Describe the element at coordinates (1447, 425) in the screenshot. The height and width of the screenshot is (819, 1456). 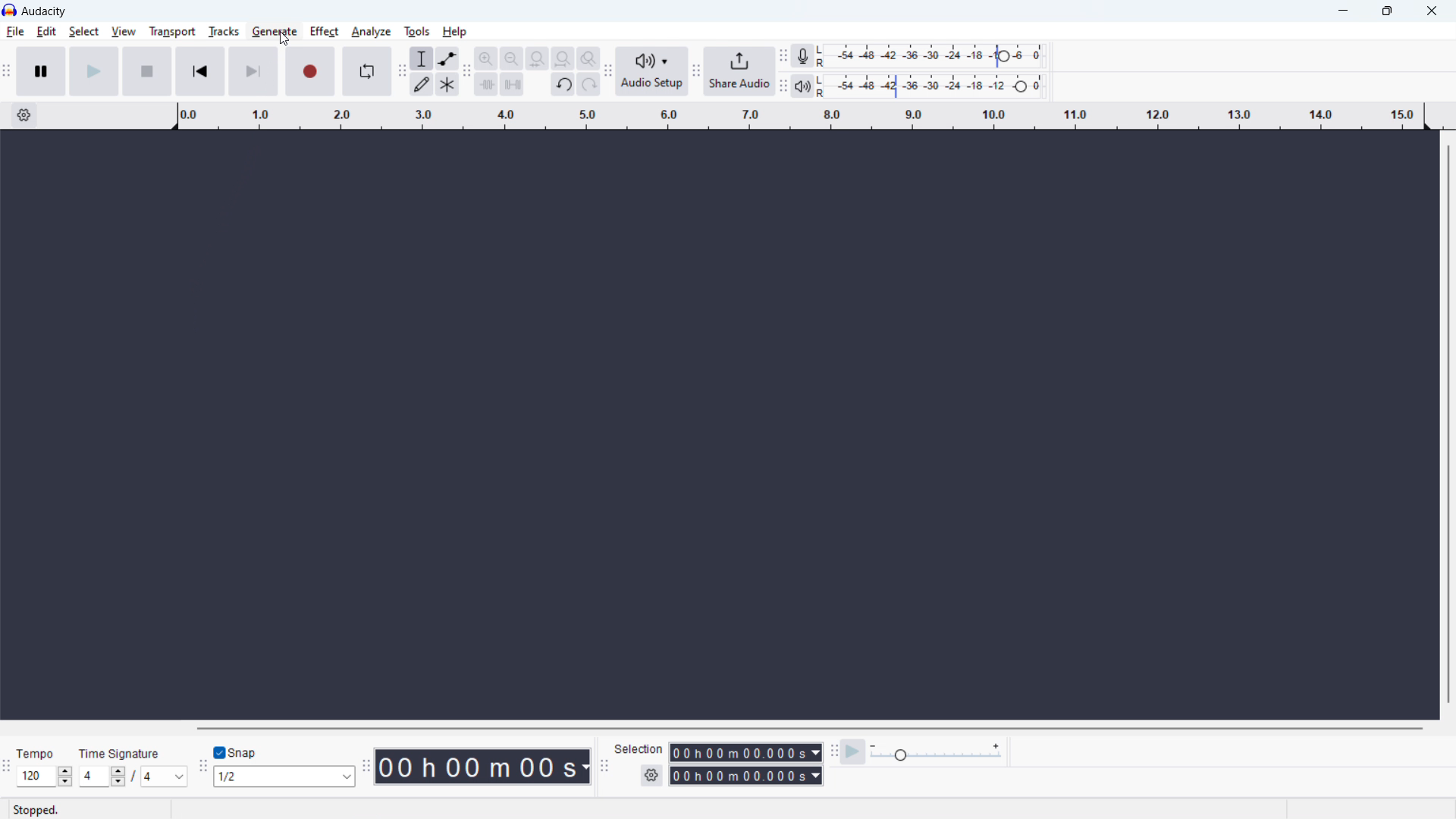
I see `vertical scrollbar` at that location.